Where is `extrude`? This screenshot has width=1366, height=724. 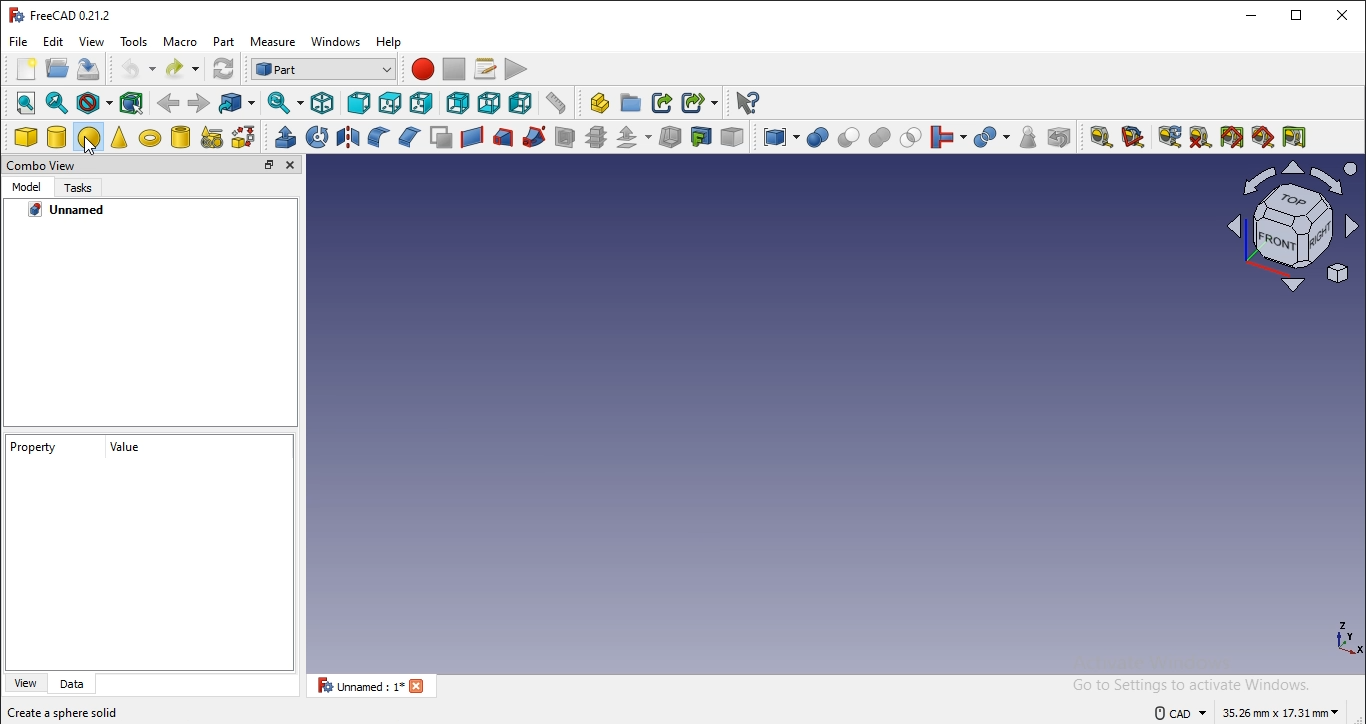
extrude is located at coordinates (286, 136).